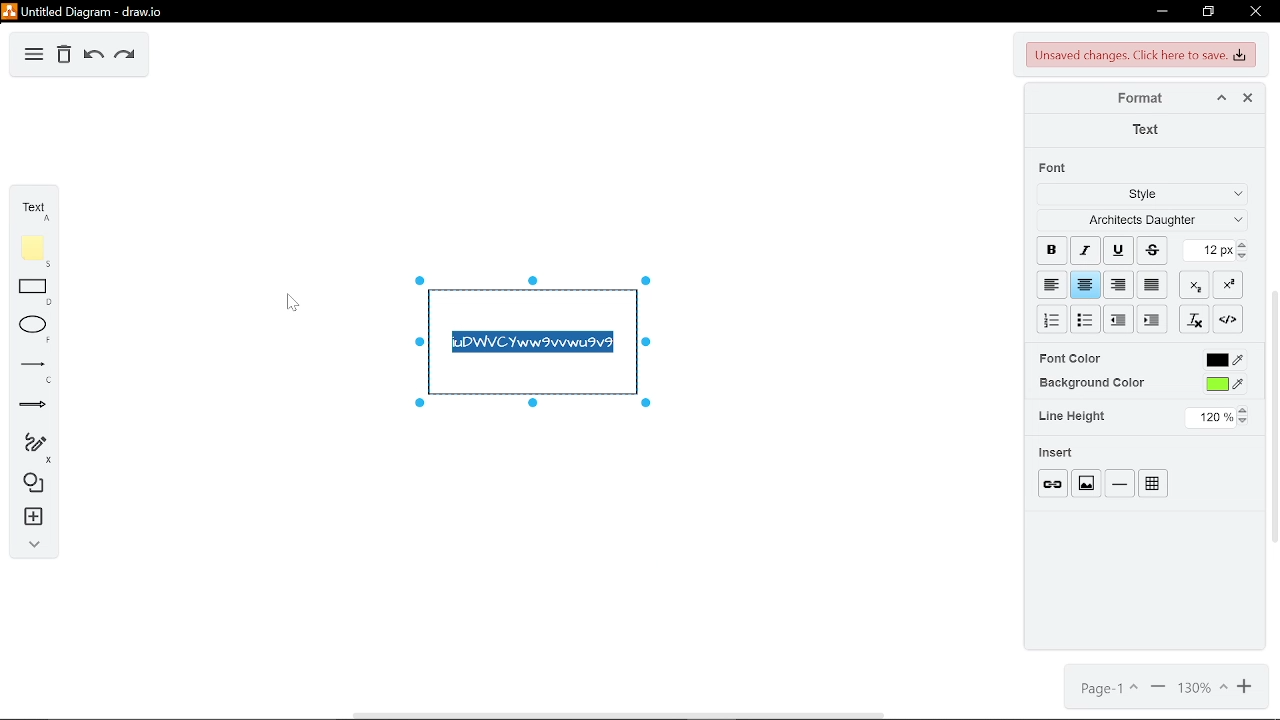  What do you see at coordinates (1154, 284) in the screenshot?
I see `justified` at bounding box center [1154, 284].